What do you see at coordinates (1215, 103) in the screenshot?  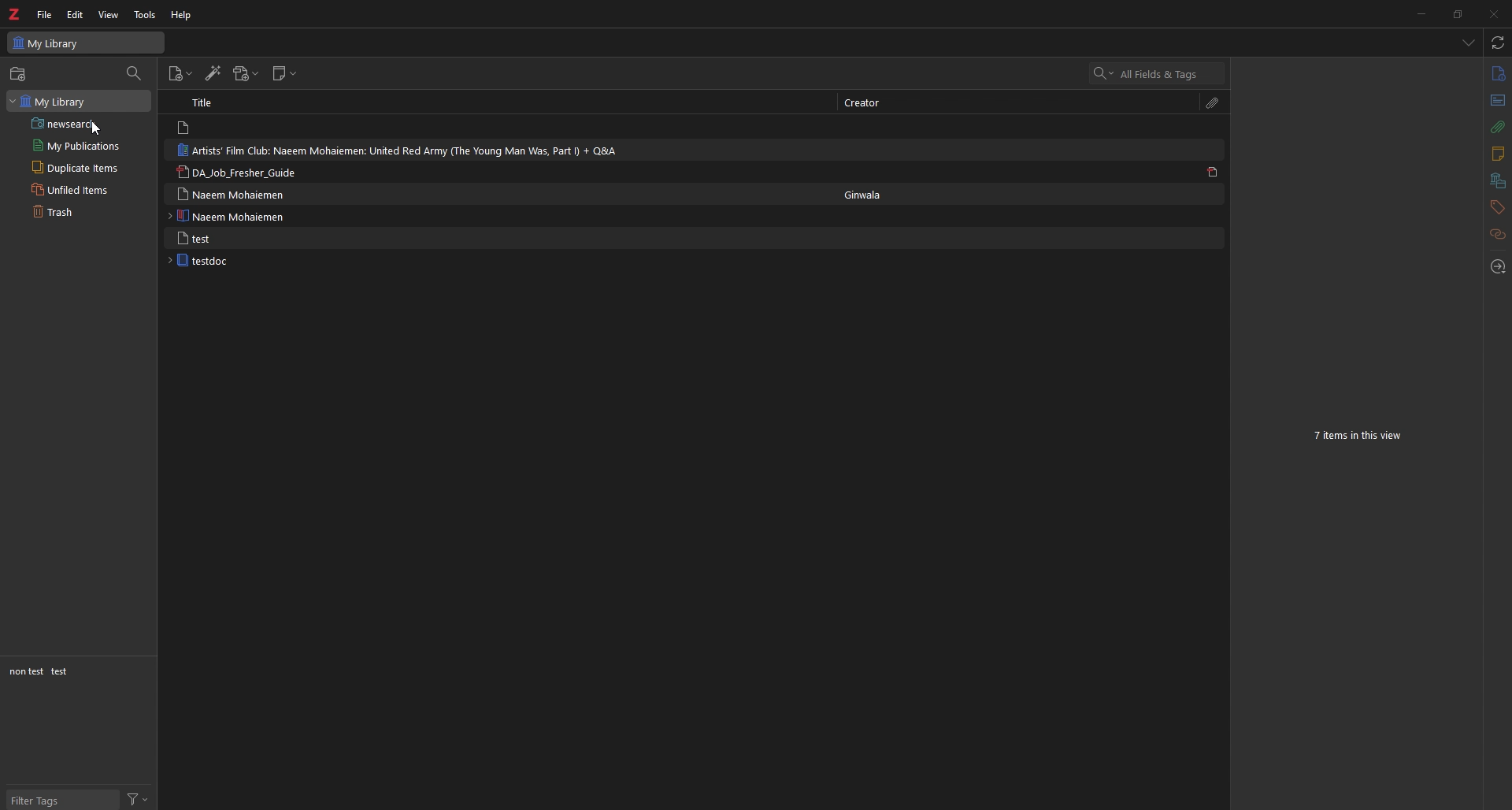 I see `Attachments` at bounding box center [1215, 103].